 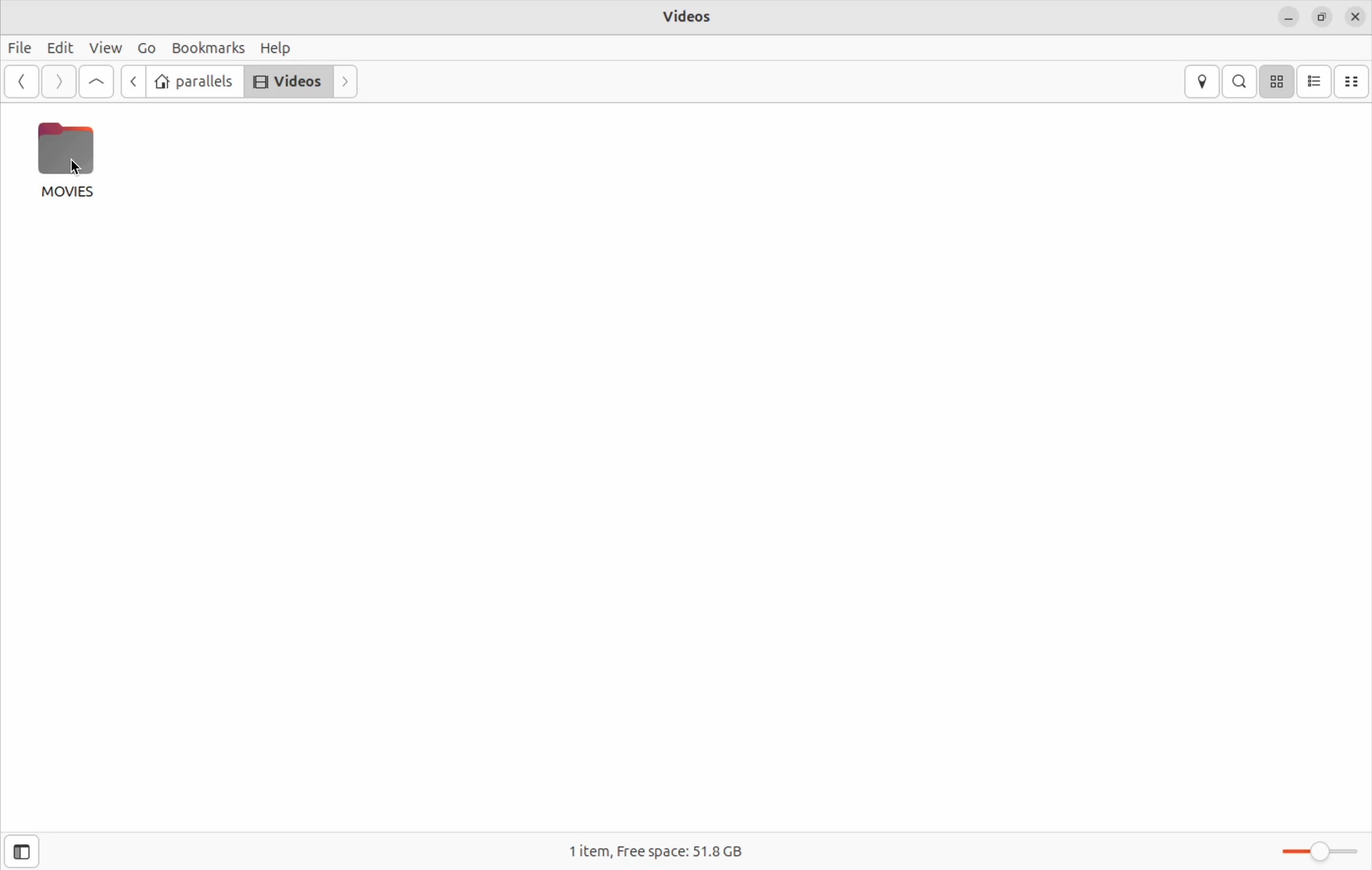 I want to click on list view, so click(x=1315, y=81).